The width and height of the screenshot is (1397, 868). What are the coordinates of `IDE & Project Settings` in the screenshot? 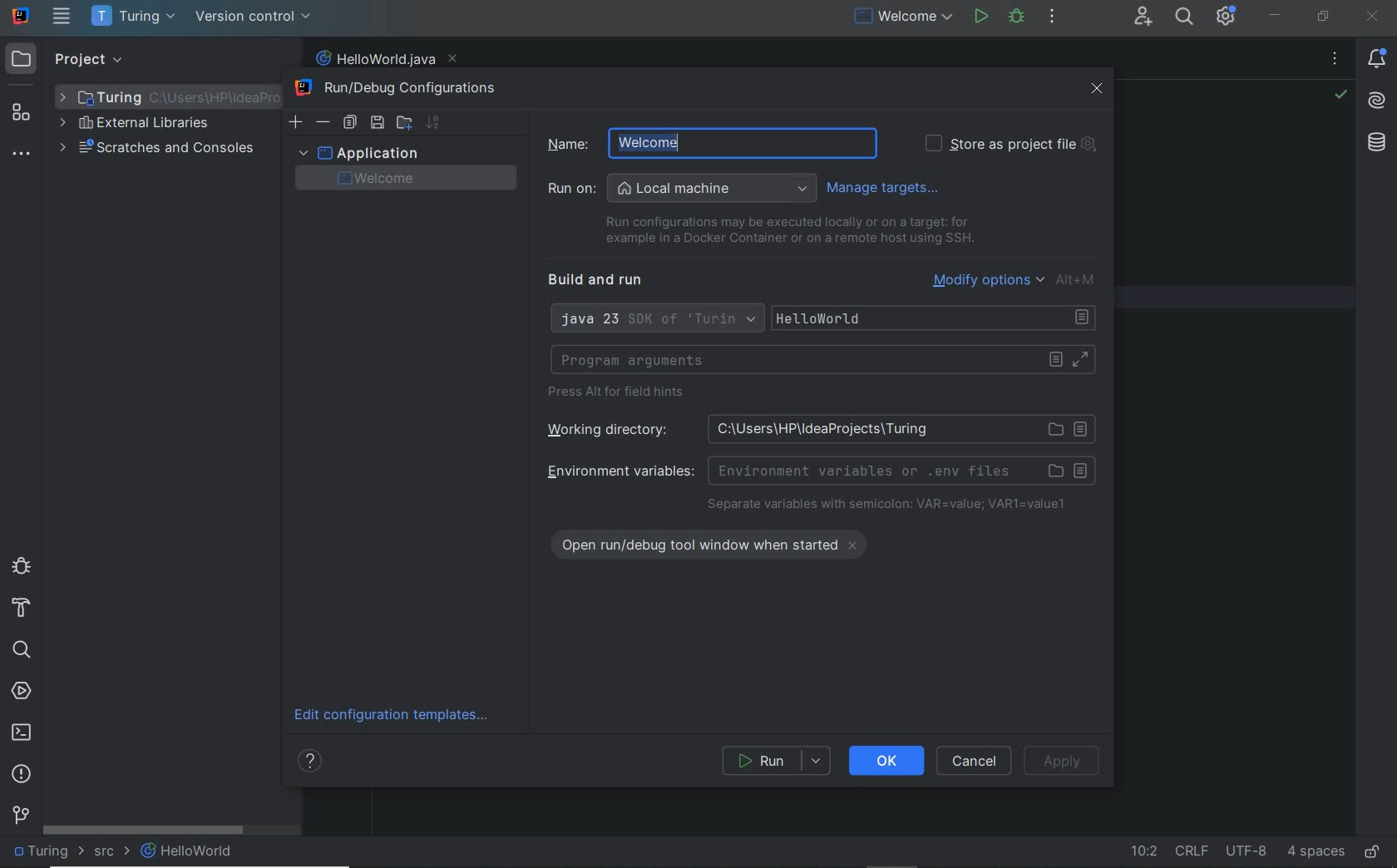 It's located at (1226, 16).